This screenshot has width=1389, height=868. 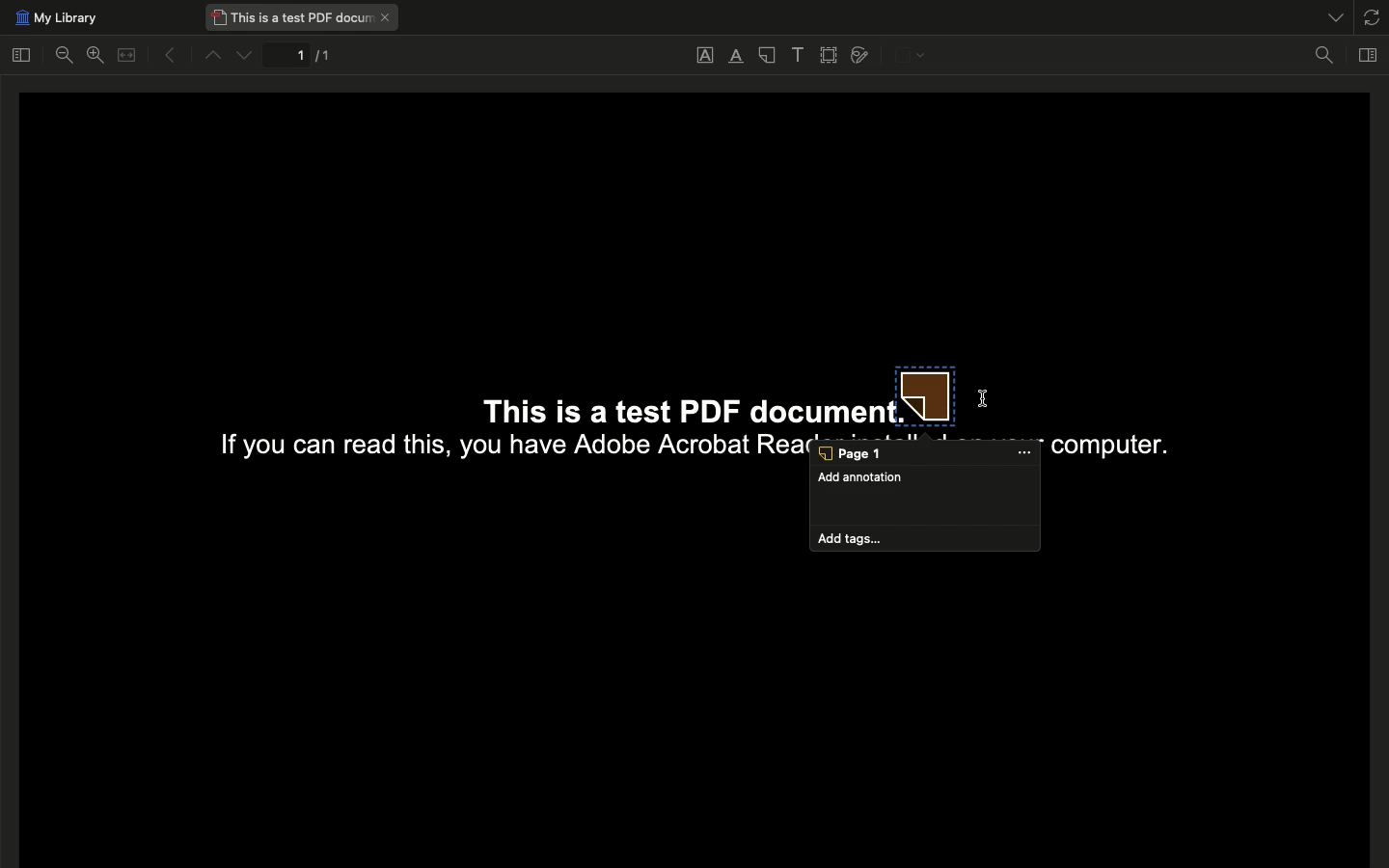 I want to click on cursor, so click(x=980, y=401).